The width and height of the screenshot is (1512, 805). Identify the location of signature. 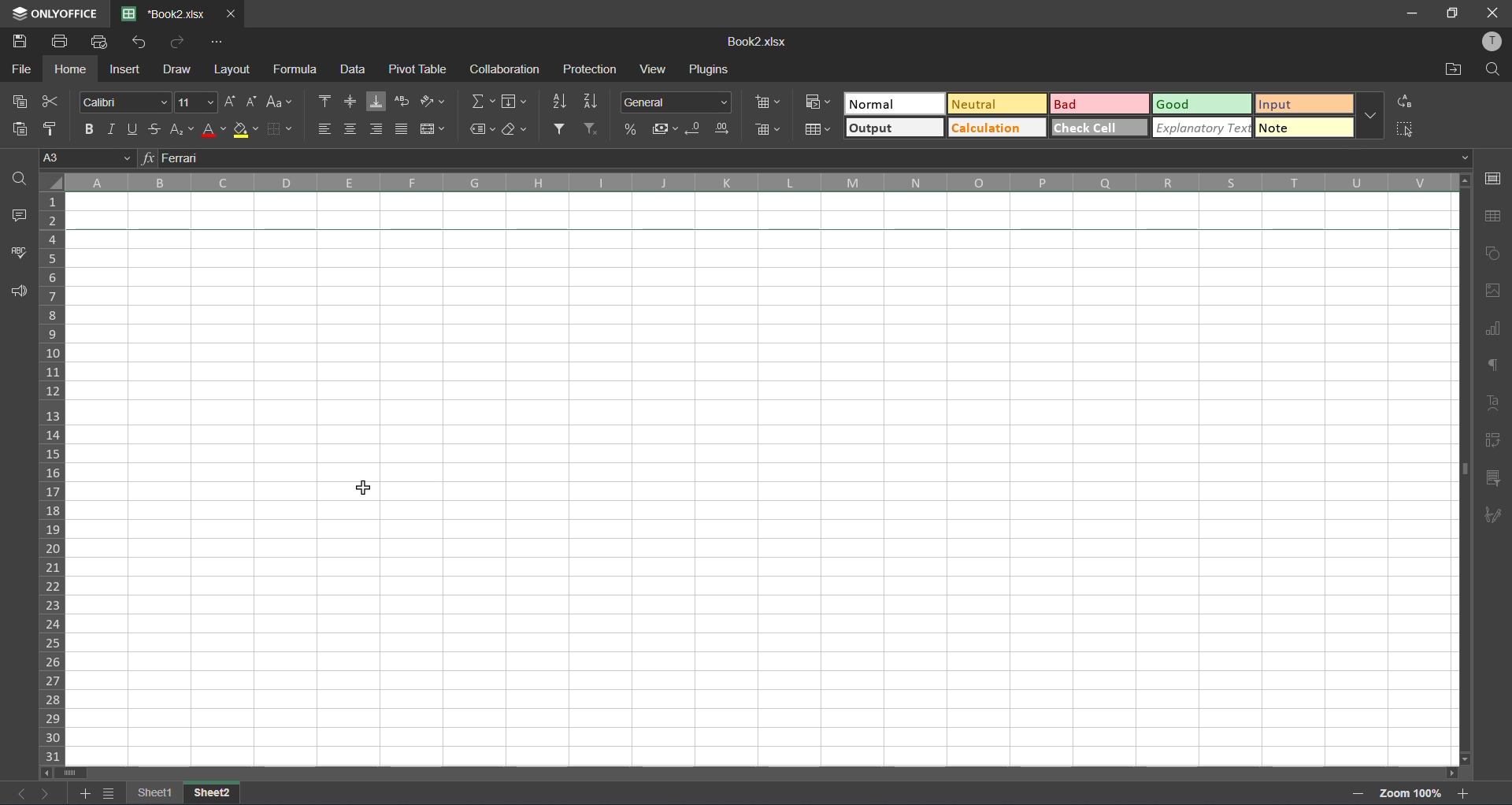
(1495, 517).